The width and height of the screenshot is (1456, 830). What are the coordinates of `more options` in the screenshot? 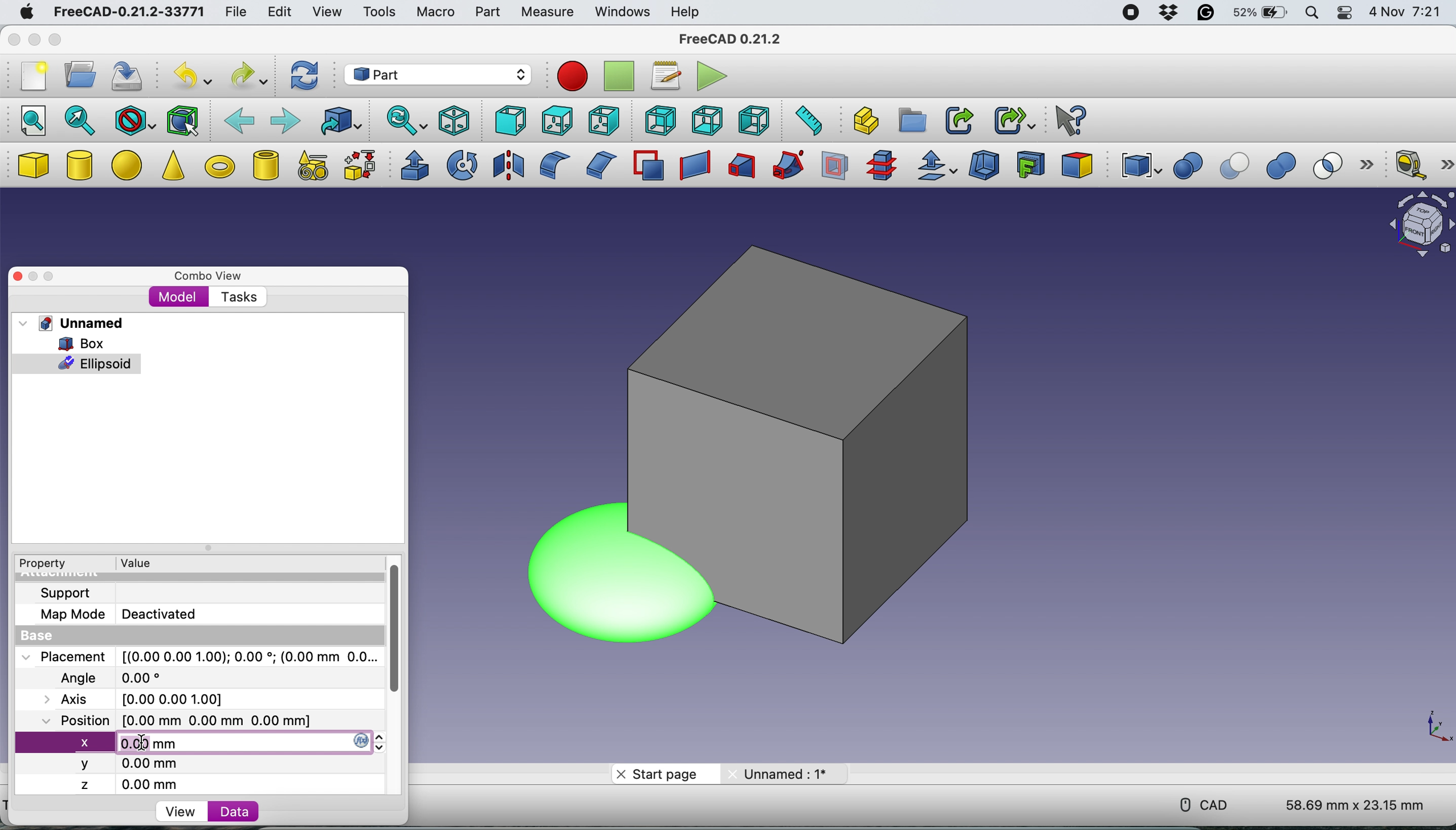 It's located at (1371, 166).